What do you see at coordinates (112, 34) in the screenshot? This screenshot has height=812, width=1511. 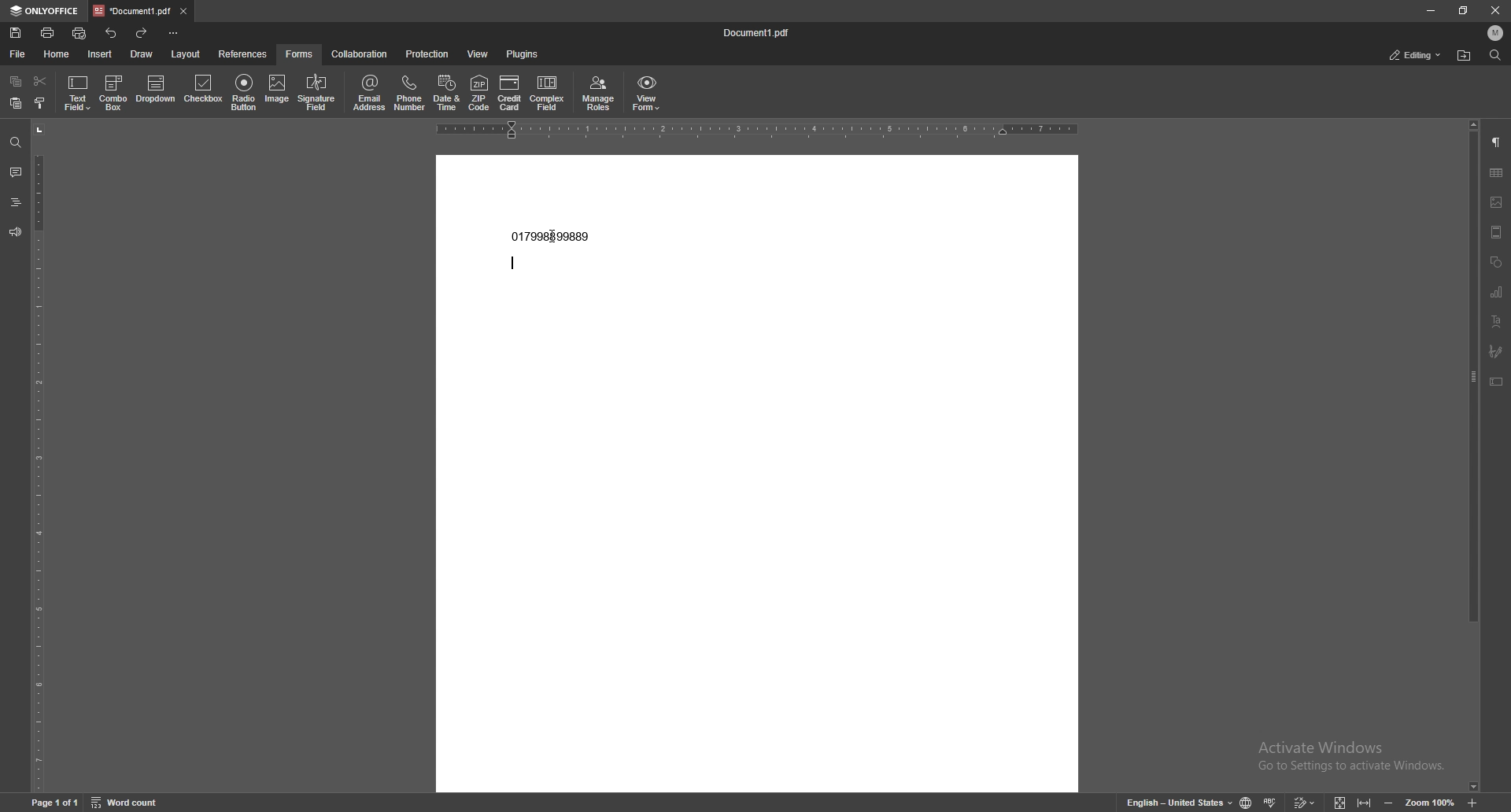 I see `undo` at bounding box center [112, 34].